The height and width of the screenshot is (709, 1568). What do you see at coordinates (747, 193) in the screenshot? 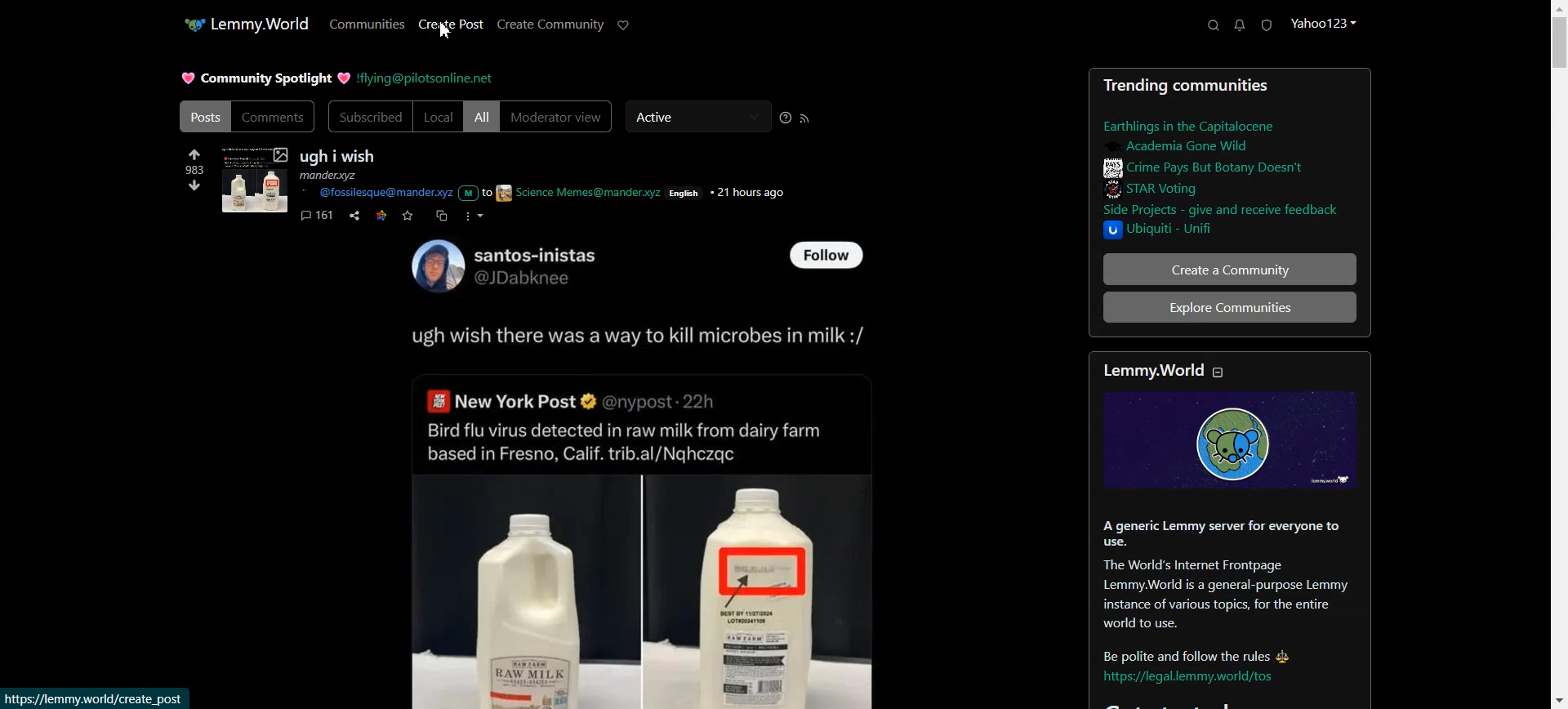
I see `21 hours ago` at bounding box center [747, 193].